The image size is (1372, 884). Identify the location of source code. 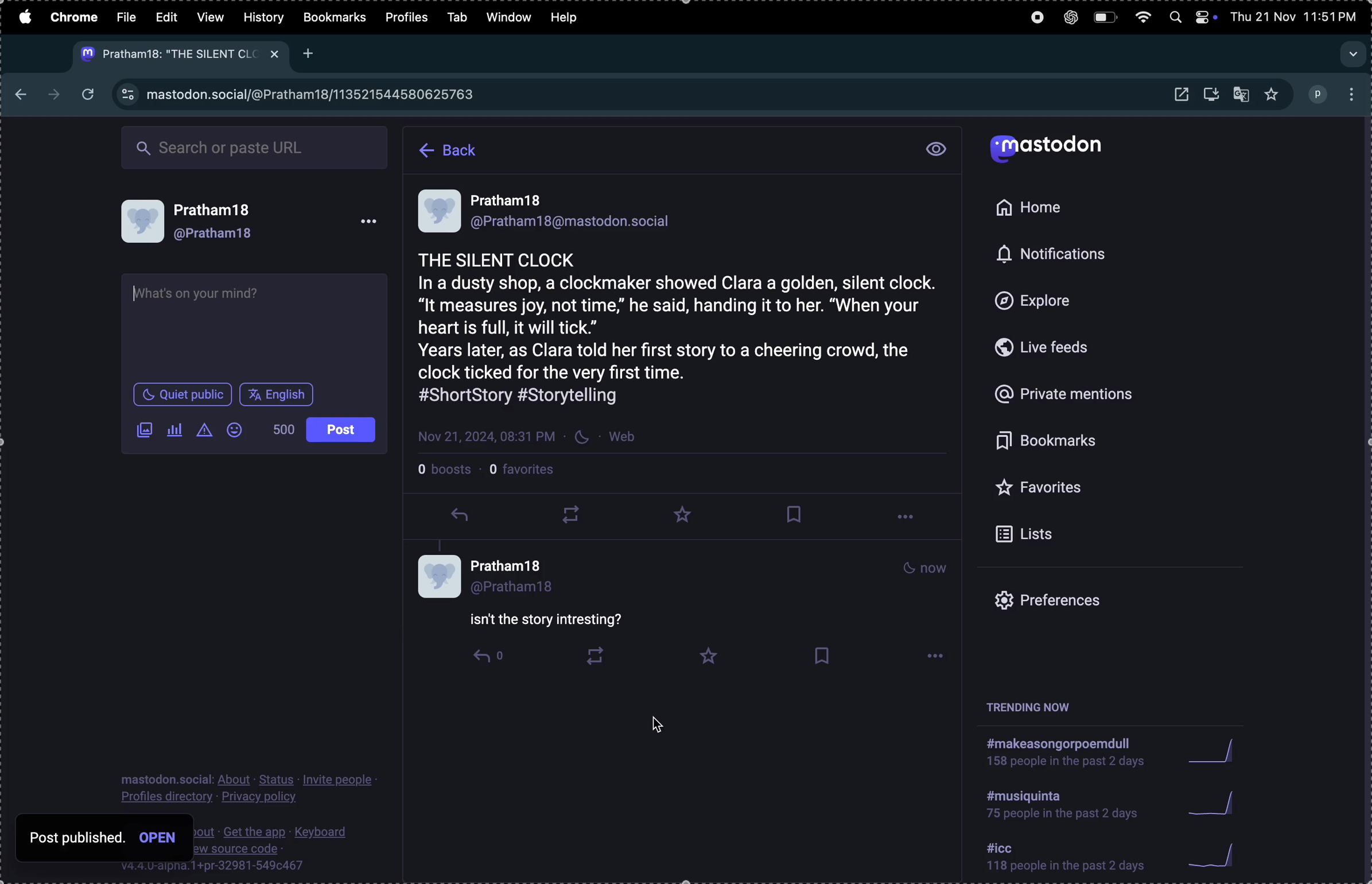
(299, 846).